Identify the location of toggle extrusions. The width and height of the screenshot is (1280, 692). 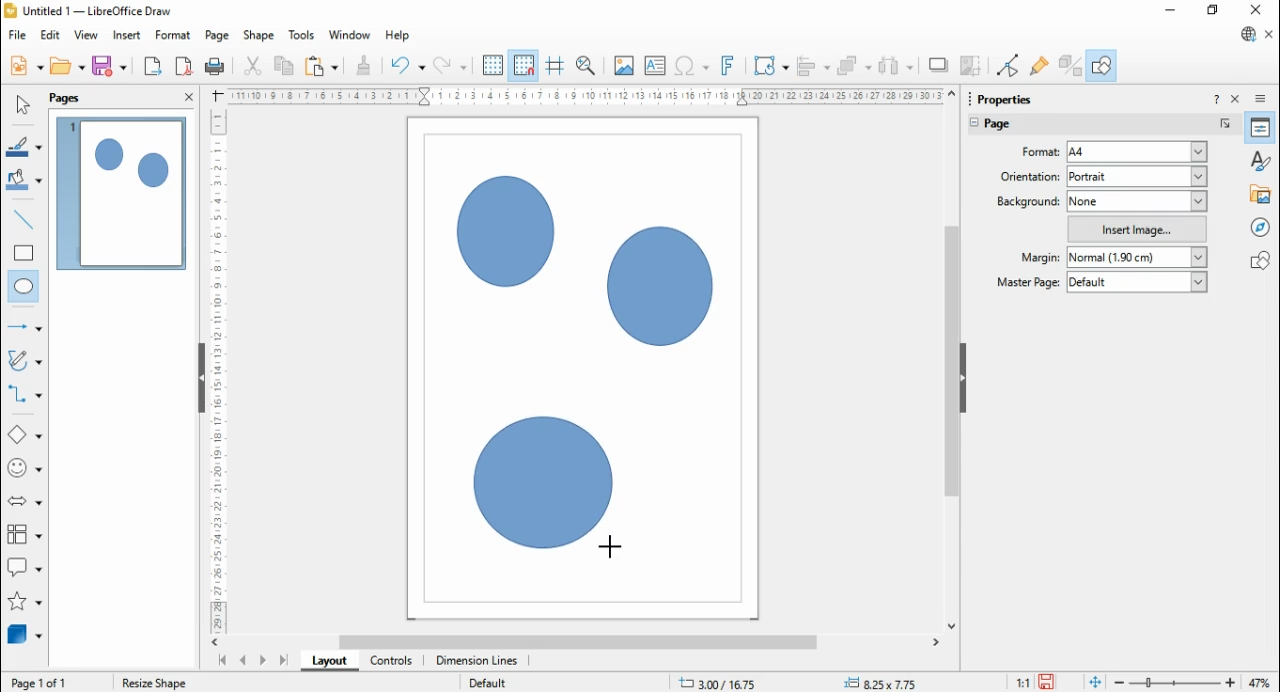
(1070, 65).